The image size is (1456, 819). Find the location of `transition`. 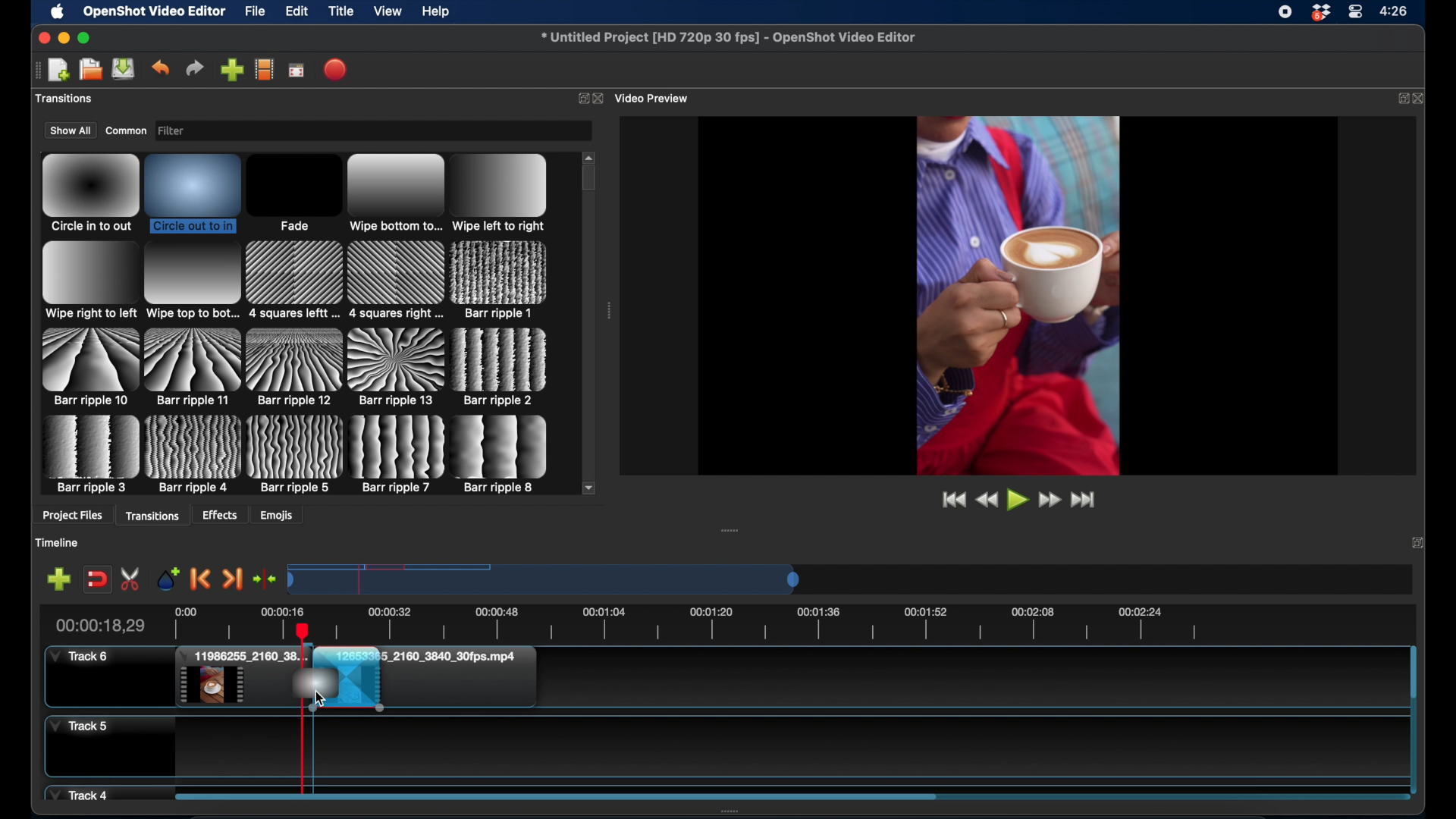

transition is located at coordinates (294, 368).